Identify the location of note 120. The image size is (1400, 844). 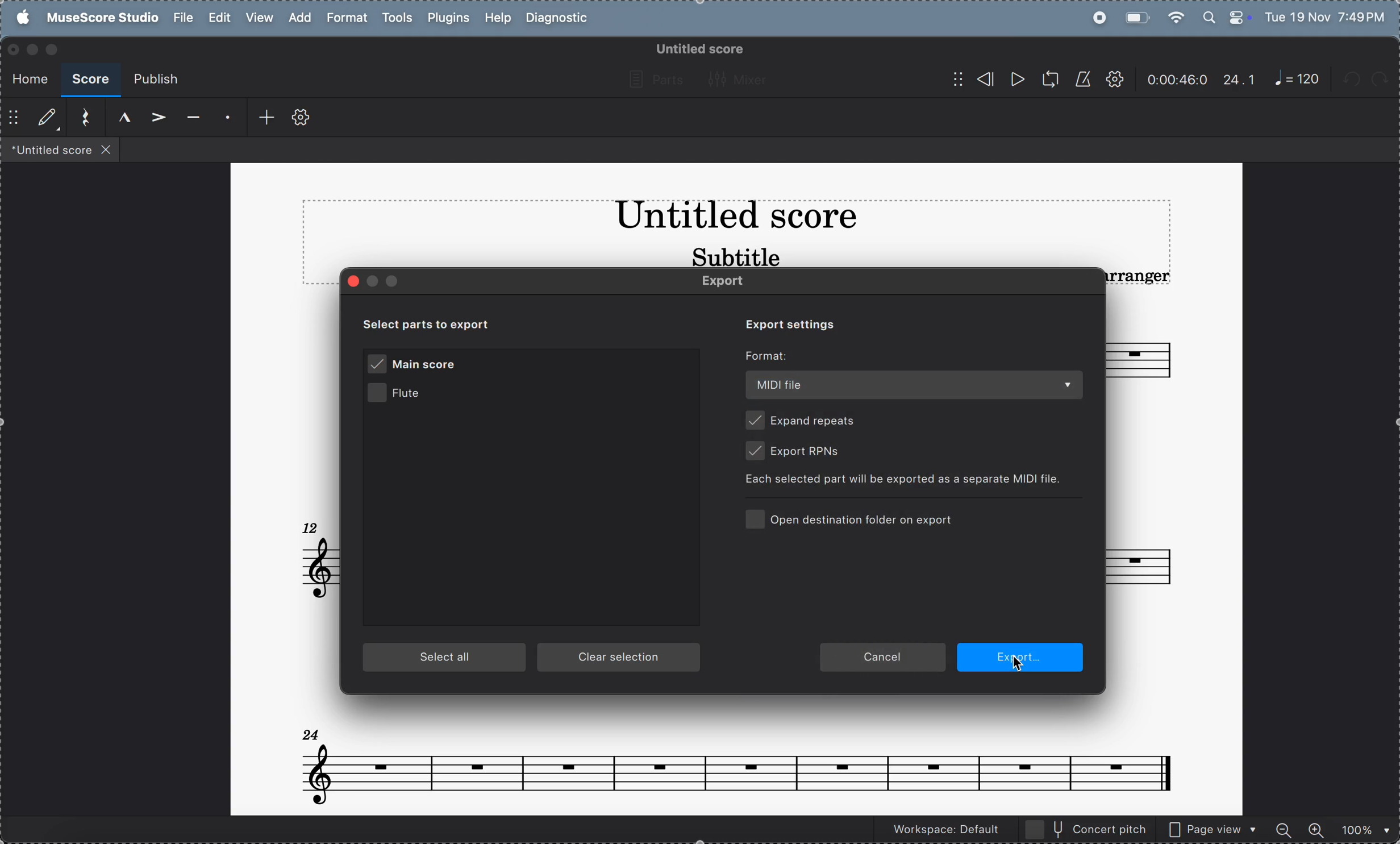
(1297, 80).